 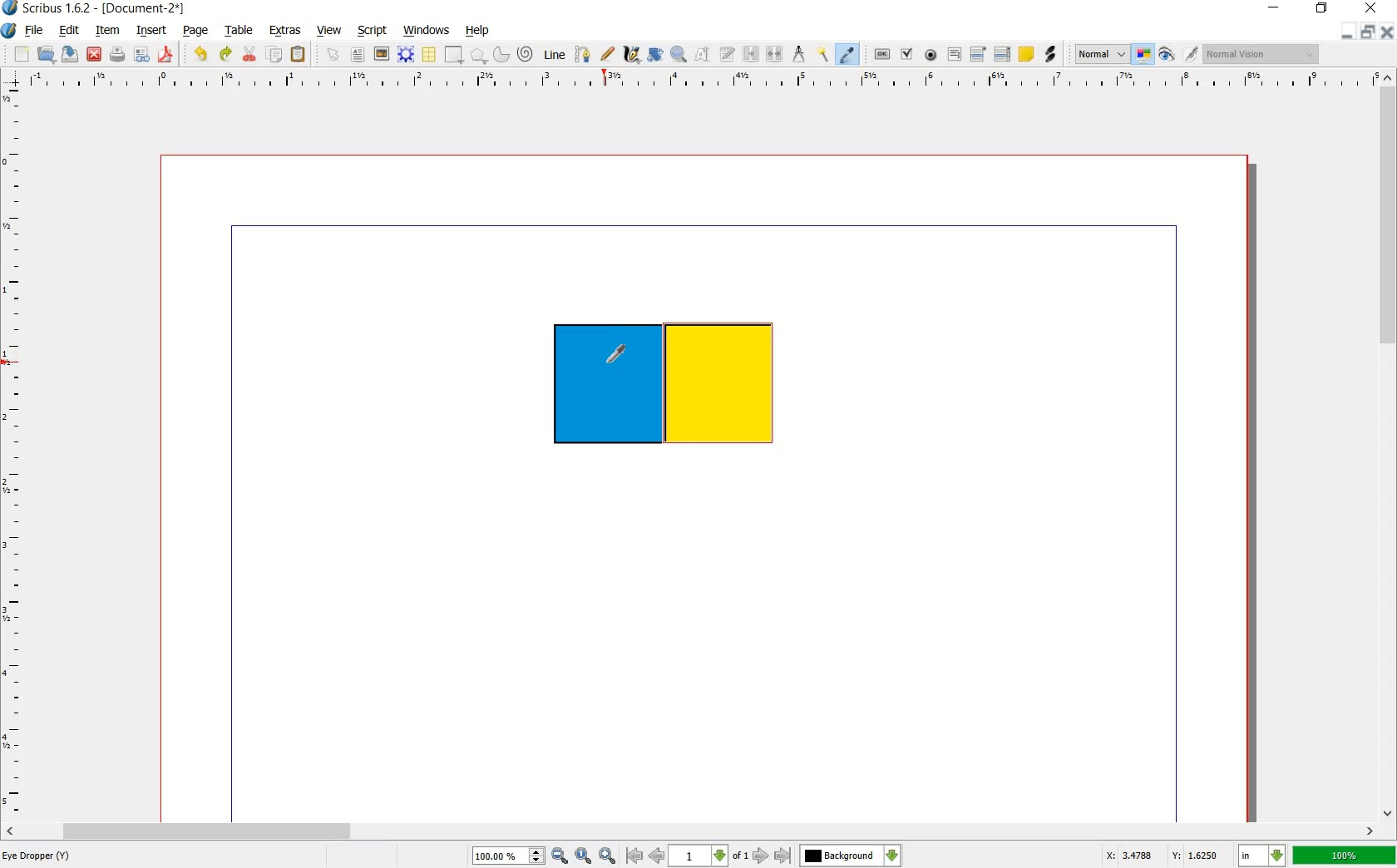 What do you see at coordinates (69, 55) in the screenshot?
I see `save` at bounding box center [69, 55].